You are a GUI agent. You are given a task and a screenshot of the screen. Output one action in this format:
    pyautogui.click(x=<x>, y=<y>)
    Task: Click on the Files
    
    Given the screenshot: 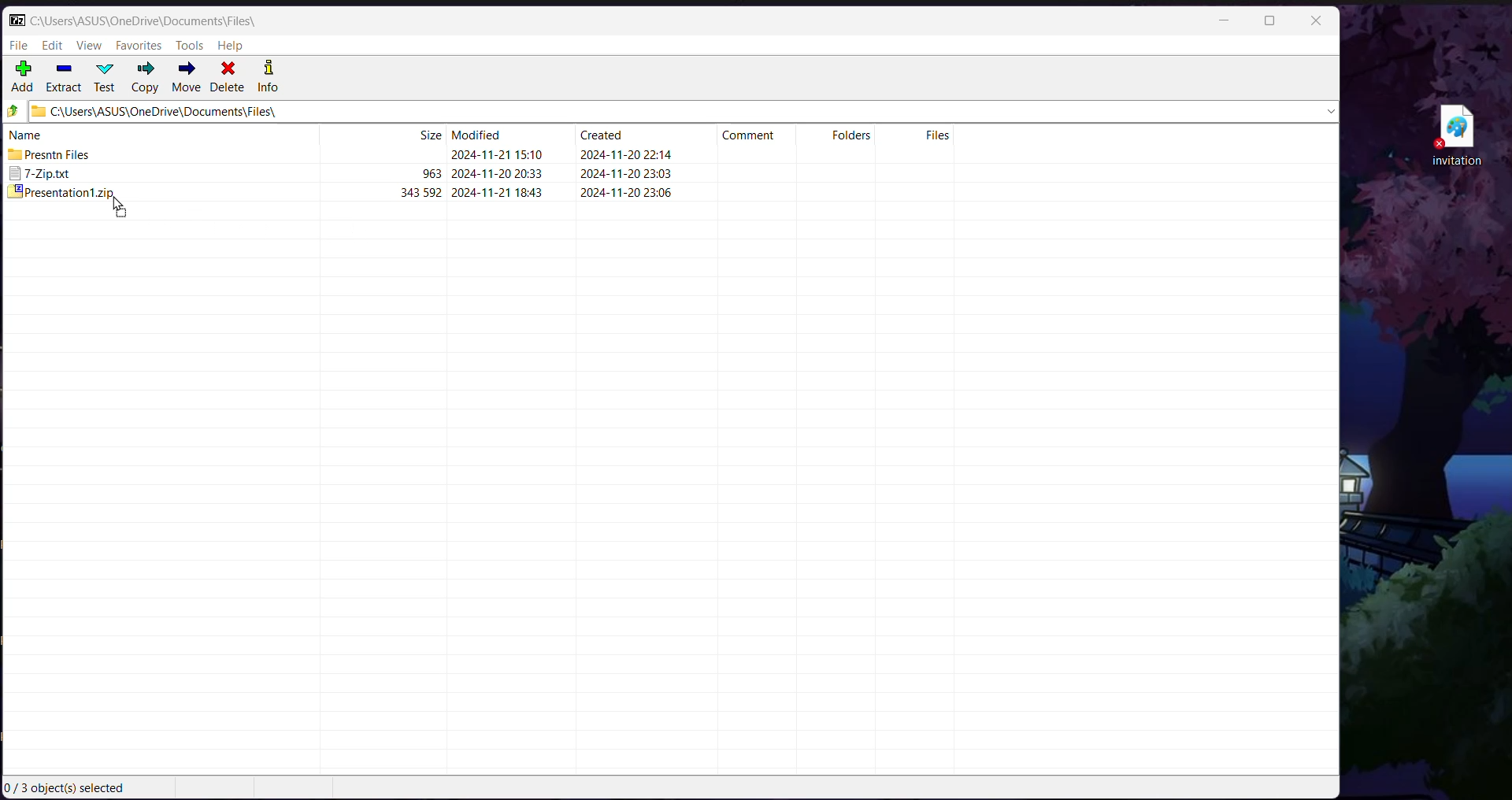 What is the action you would take?
    pyautogui.click(x=937, y=135)
    